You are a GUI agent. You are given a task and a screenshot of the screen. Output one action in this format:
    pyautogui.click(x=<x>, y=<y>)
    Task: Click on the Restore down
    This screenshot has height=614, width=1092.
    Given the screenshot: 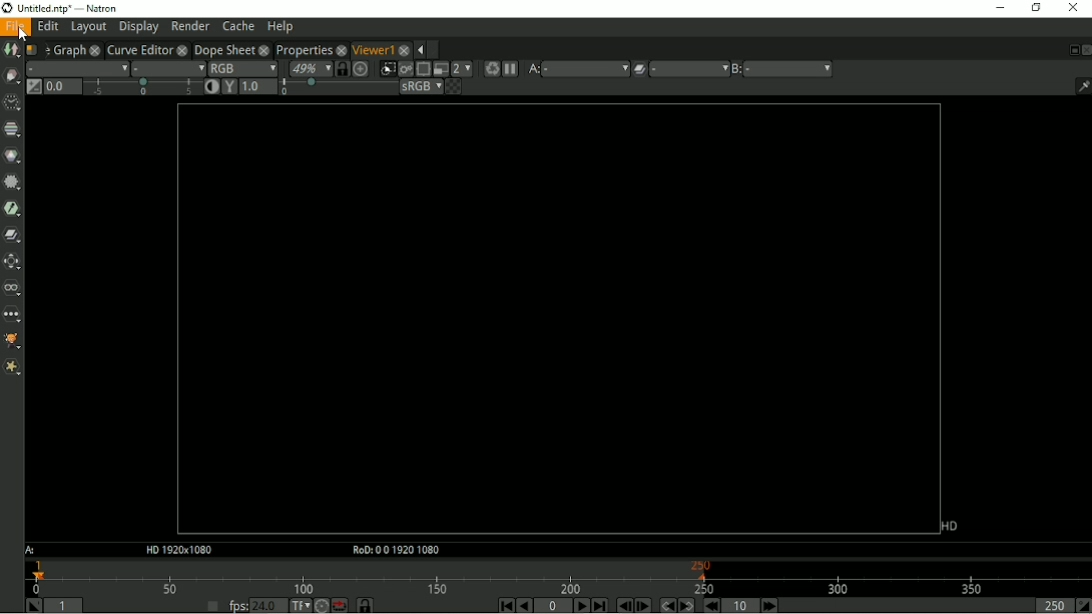 What is the action you would take?
    pyautogui.click(x=1035, y=8)
    